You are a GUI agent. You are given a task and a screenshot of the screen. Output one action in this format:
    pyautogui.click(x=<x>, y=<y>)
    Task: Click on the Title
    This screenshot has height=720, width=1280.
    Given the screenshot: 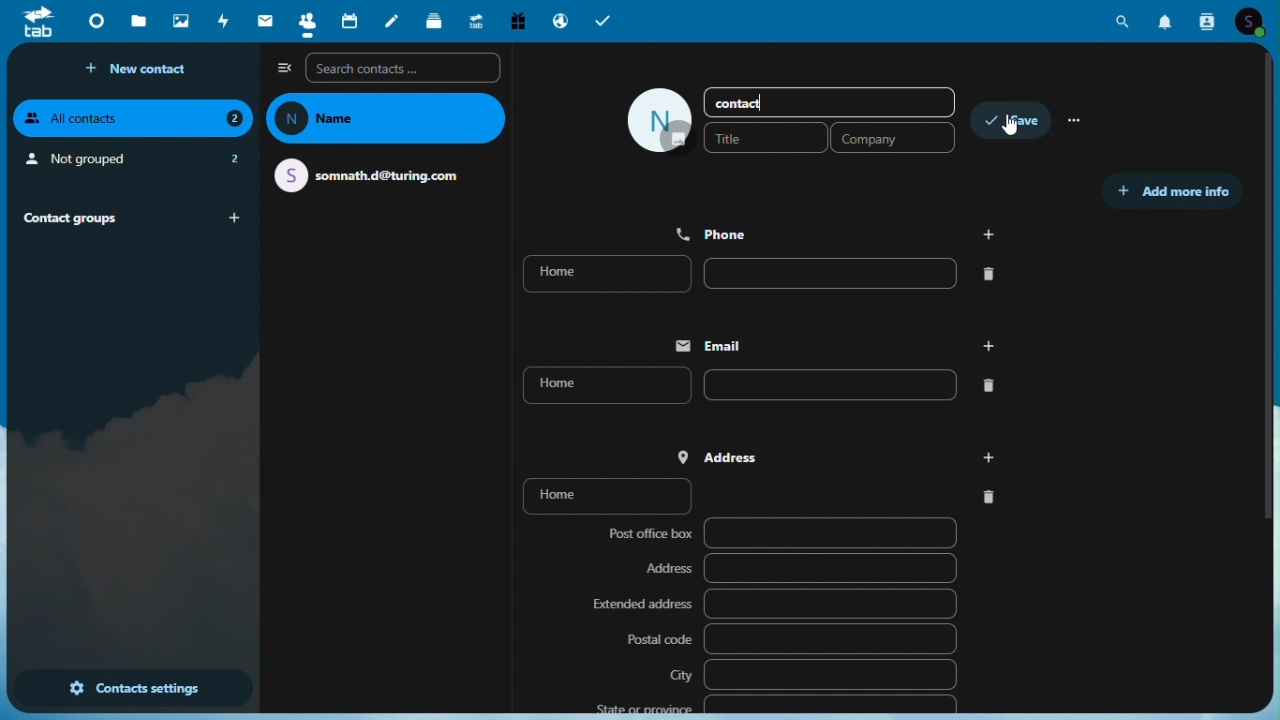 What is the action you would take?
    pyautogui.click(x=765, y=137)
    